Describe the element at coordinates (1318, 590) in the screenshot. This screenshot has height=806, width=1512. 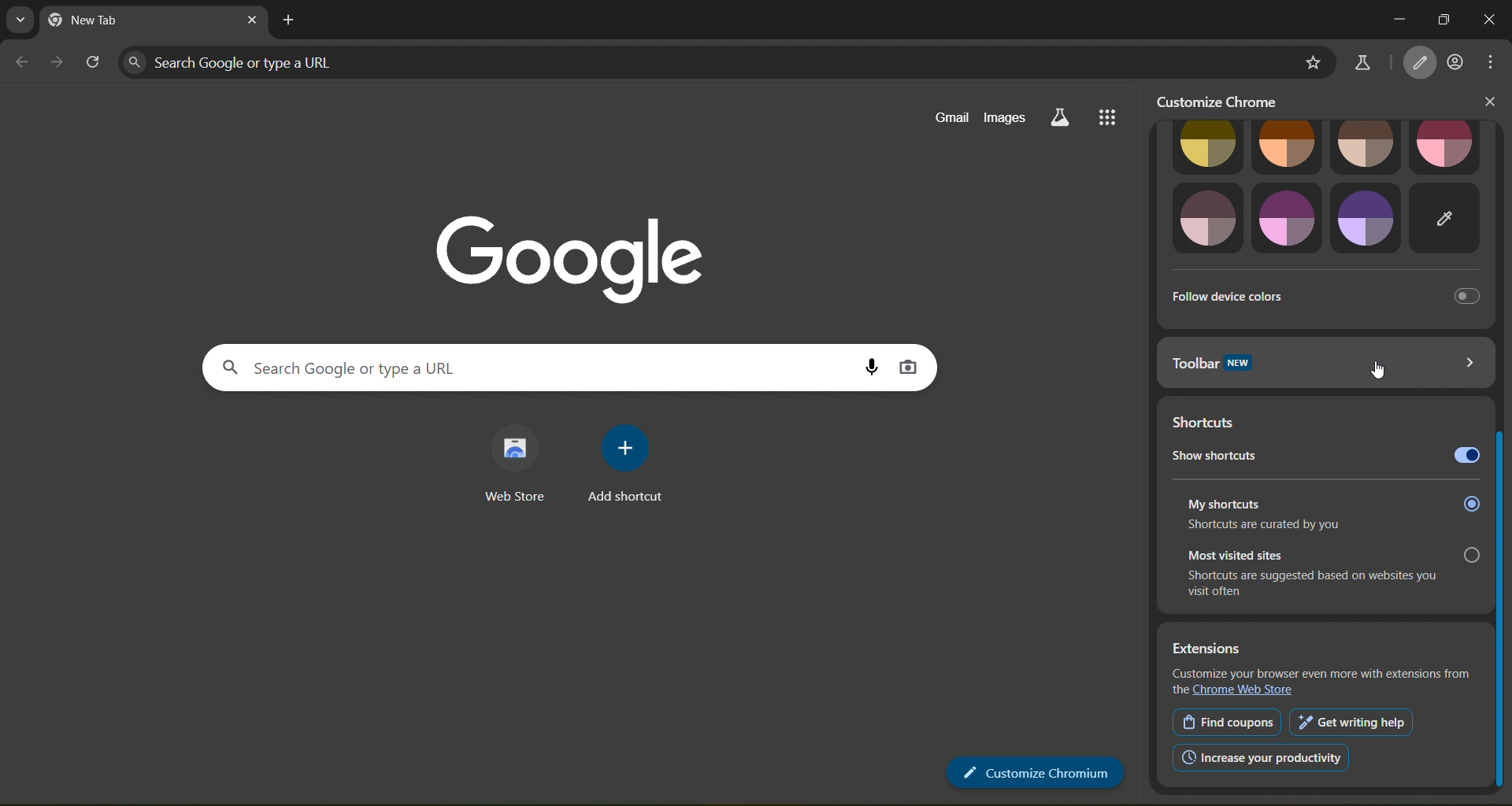
I see `Shortcuts are suggested based on websites you
visit often` at that location.